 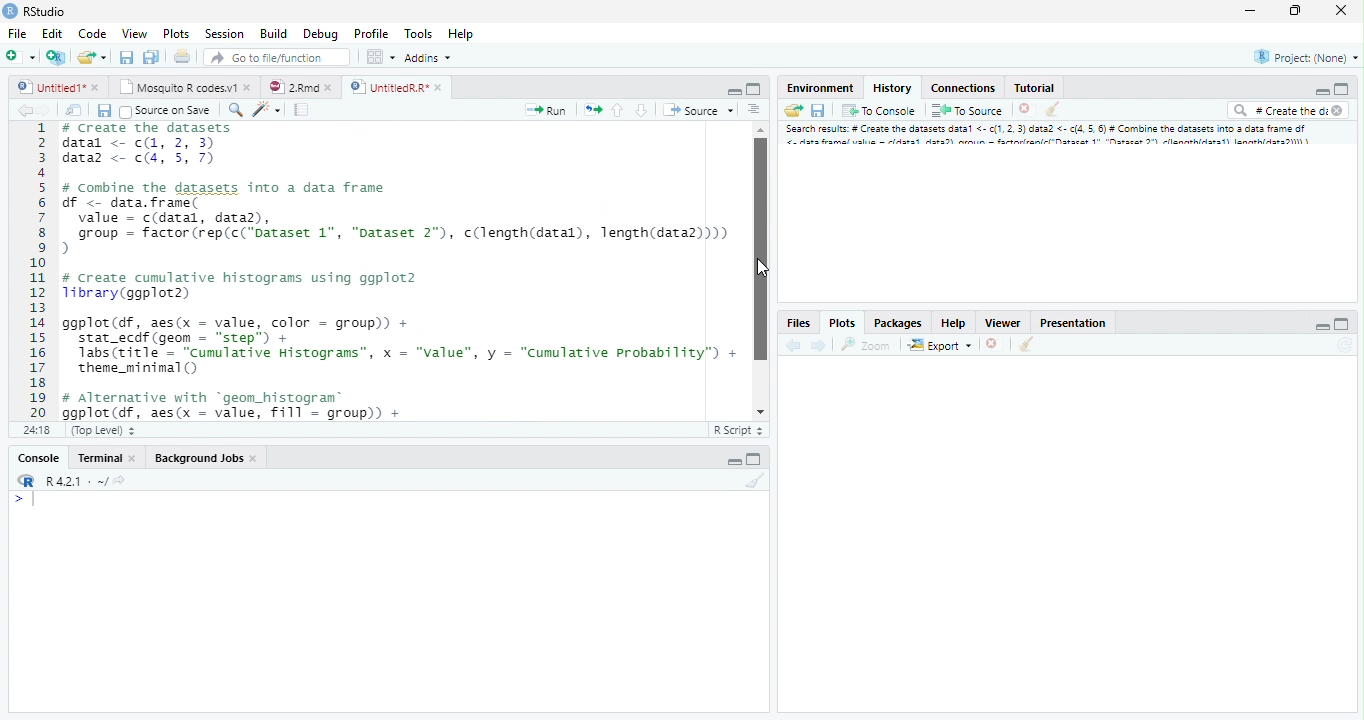 What do you see at coordinates (733, 461) in the screenshot?
I see `Minimize` at bounding box center [733, 461].